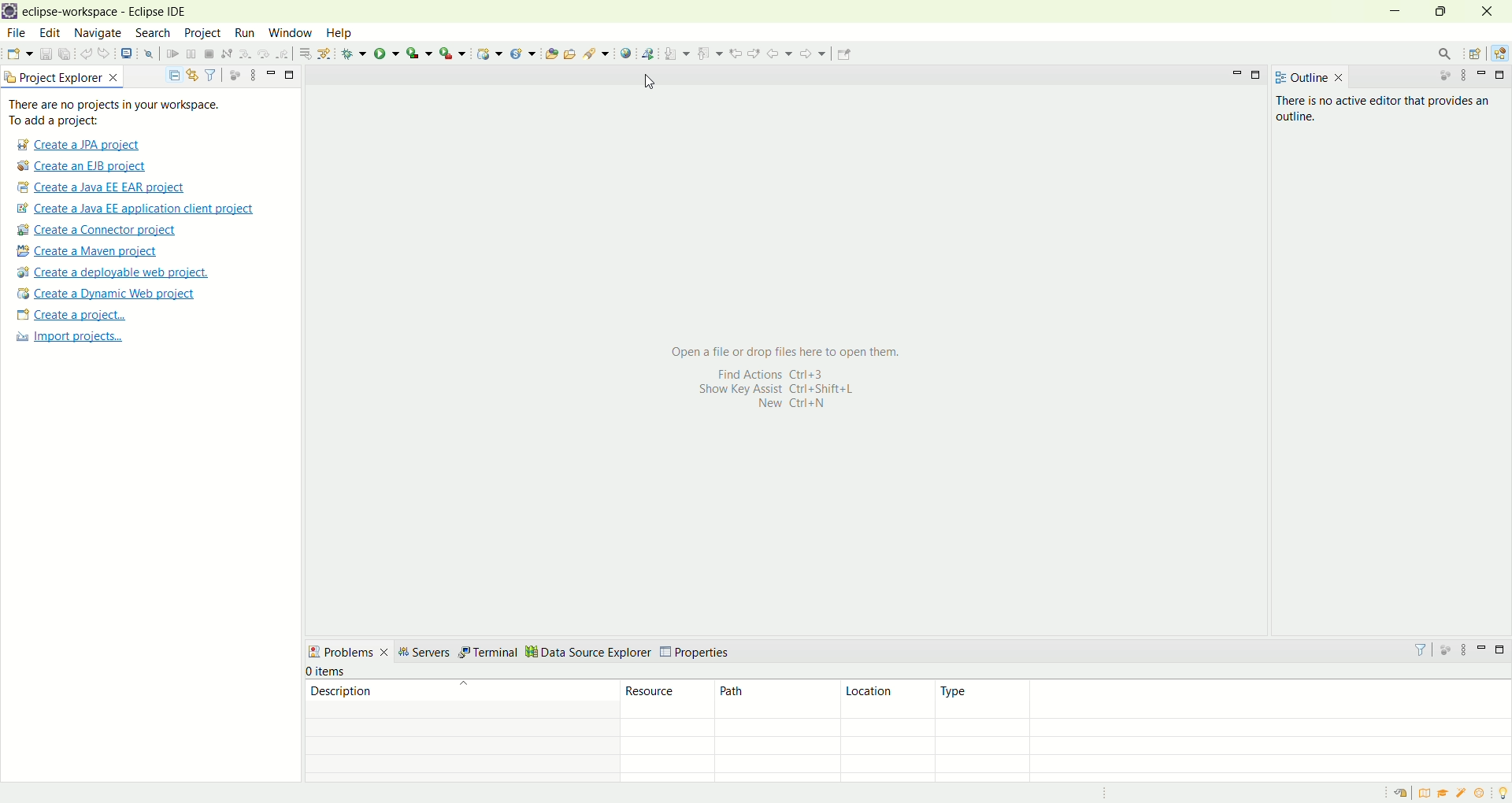 Image resolution: width=1512 pixels, height=803 pixels. Describe the element at coordinates (756, 52) in the screenshot. I see `next edit location` at that location.